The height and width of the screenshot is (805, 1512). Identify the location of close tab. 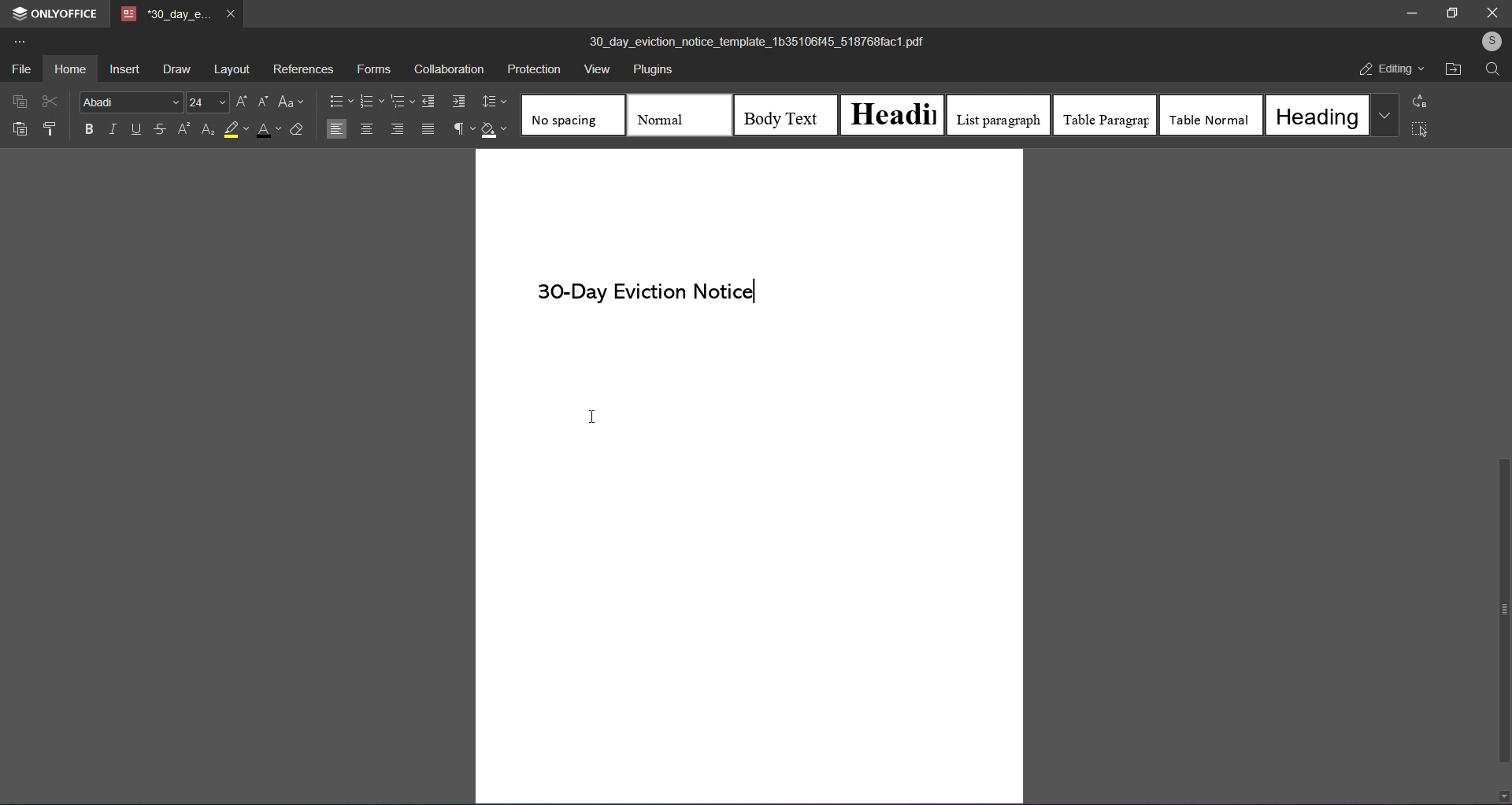
(232, 16).